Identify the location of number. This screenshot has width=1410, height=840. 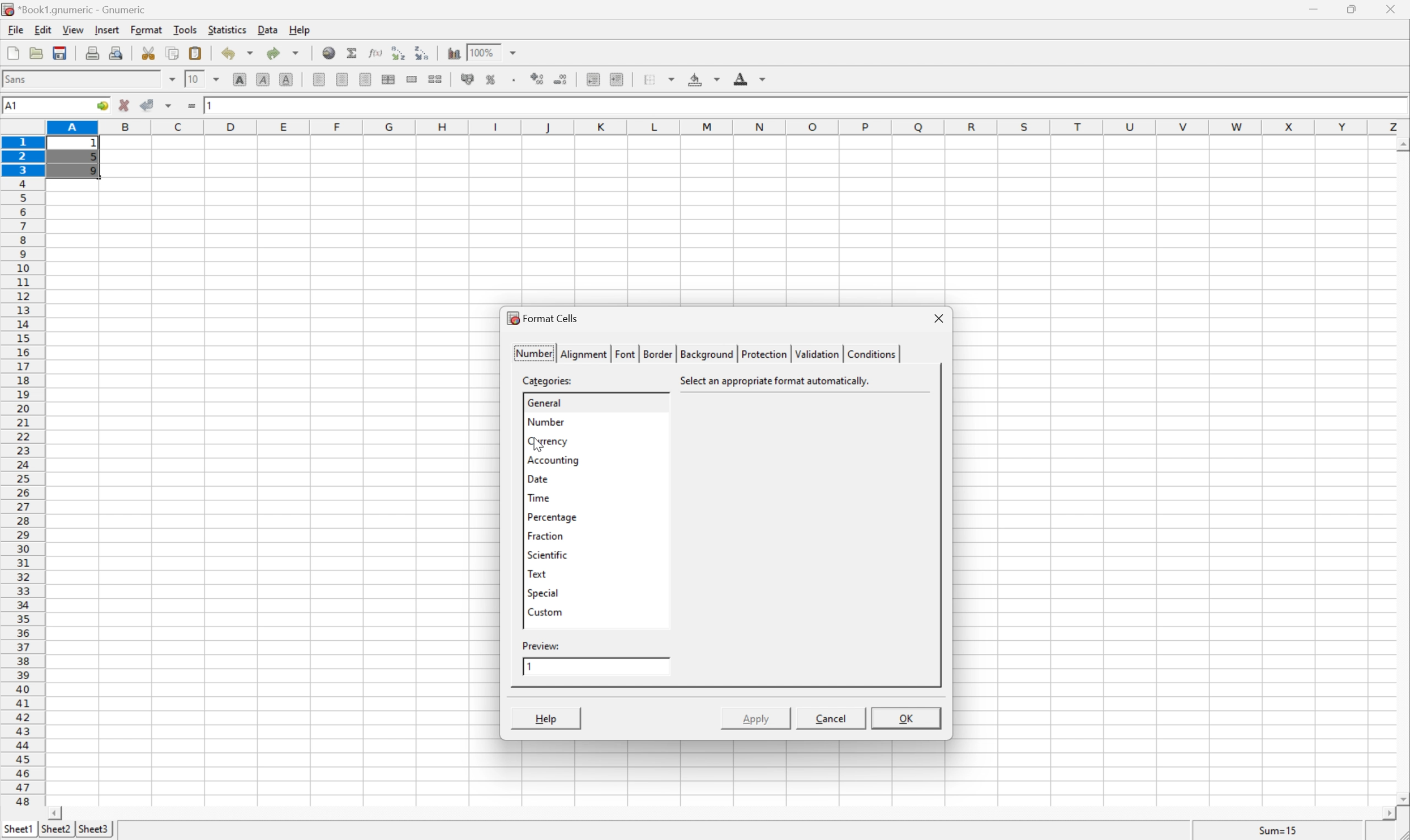
(533, 352).